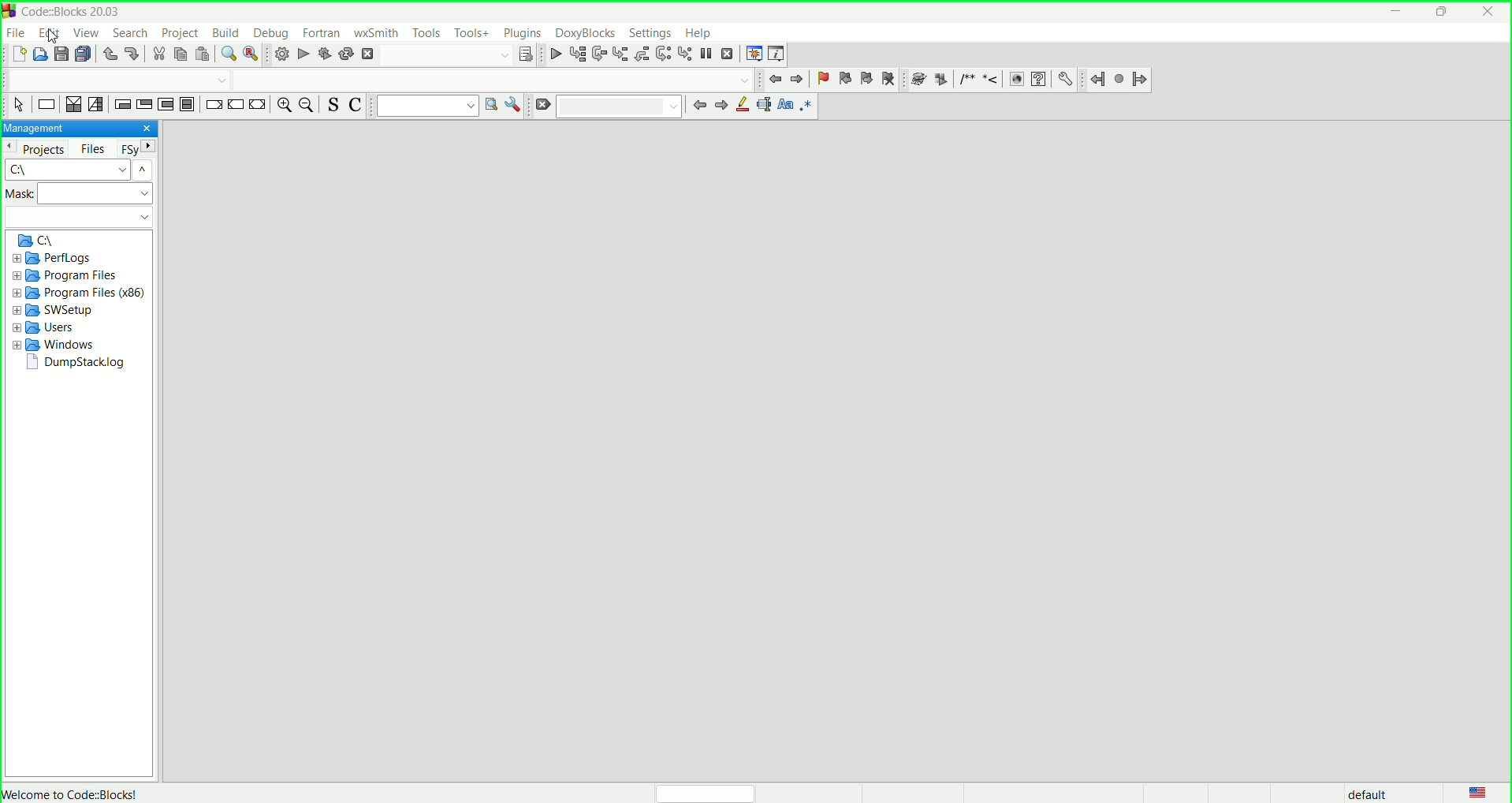 This screenshot has width=1512, height=803. Describe the element at coordinates (543, 104) in the screenshot. I see `clear` at that location.